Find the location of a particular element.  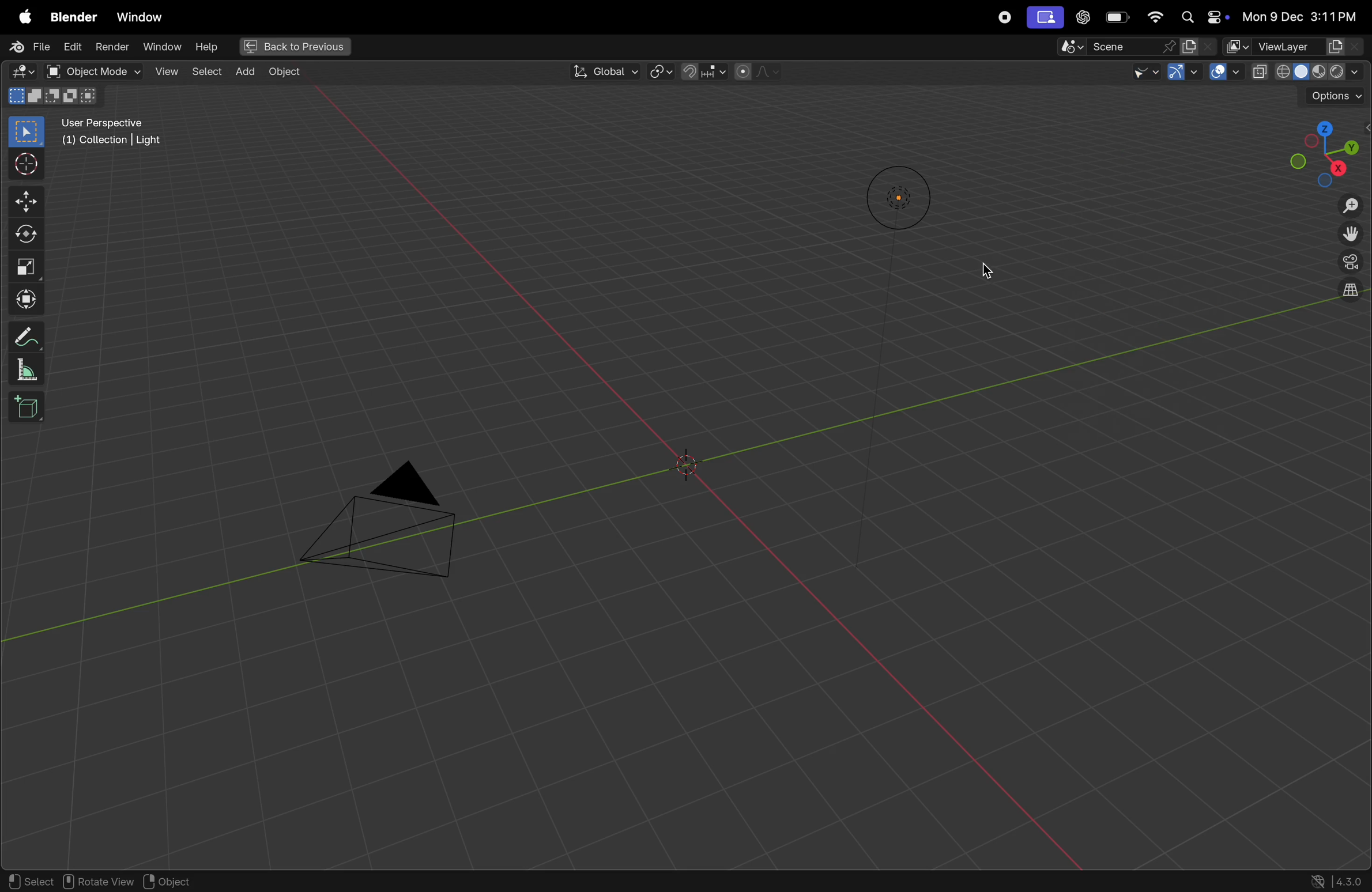

snap is located at coordinates (705, 71).